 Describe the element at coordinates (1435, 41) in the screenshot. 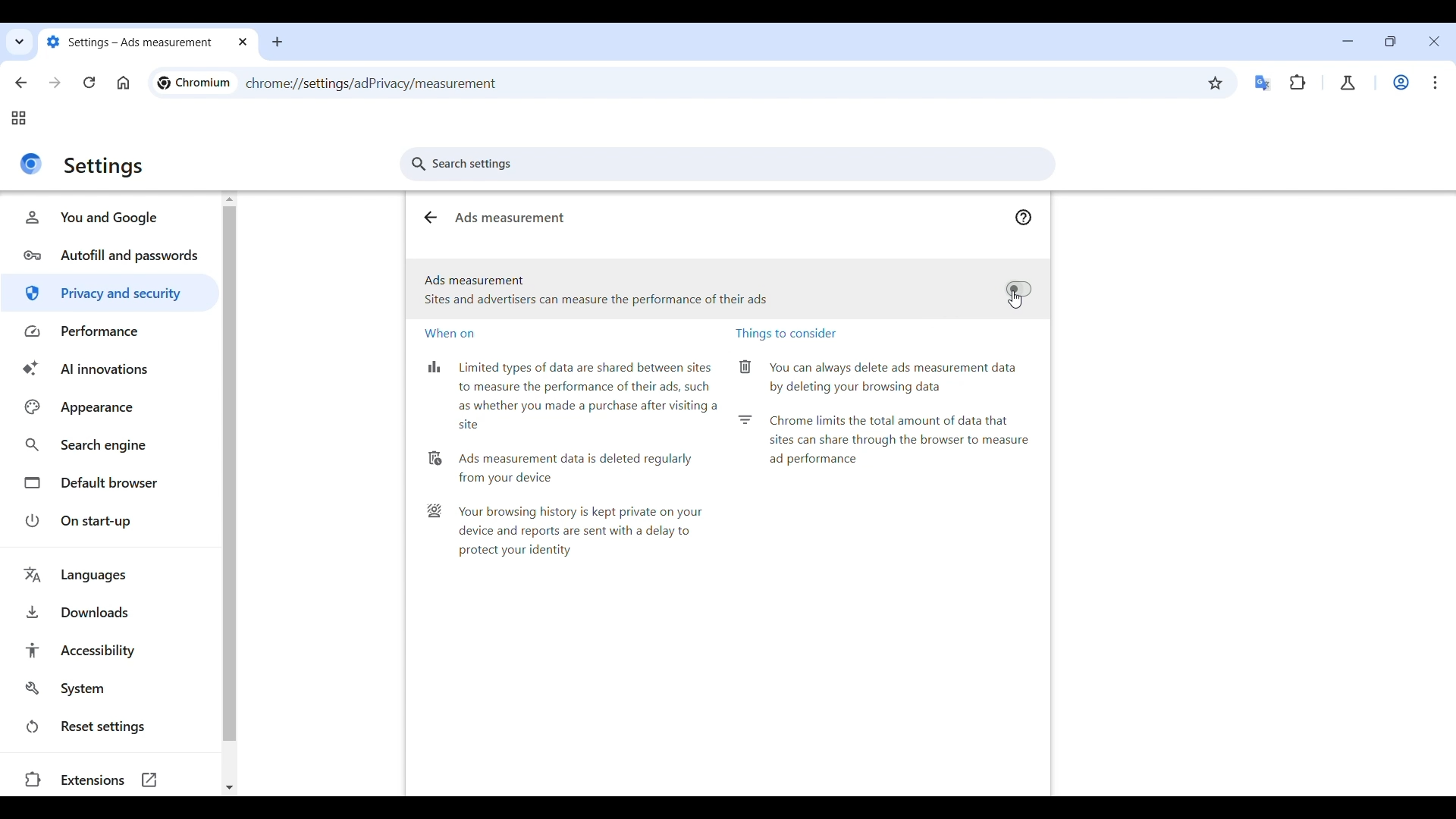

I see `Close interface` at that location.